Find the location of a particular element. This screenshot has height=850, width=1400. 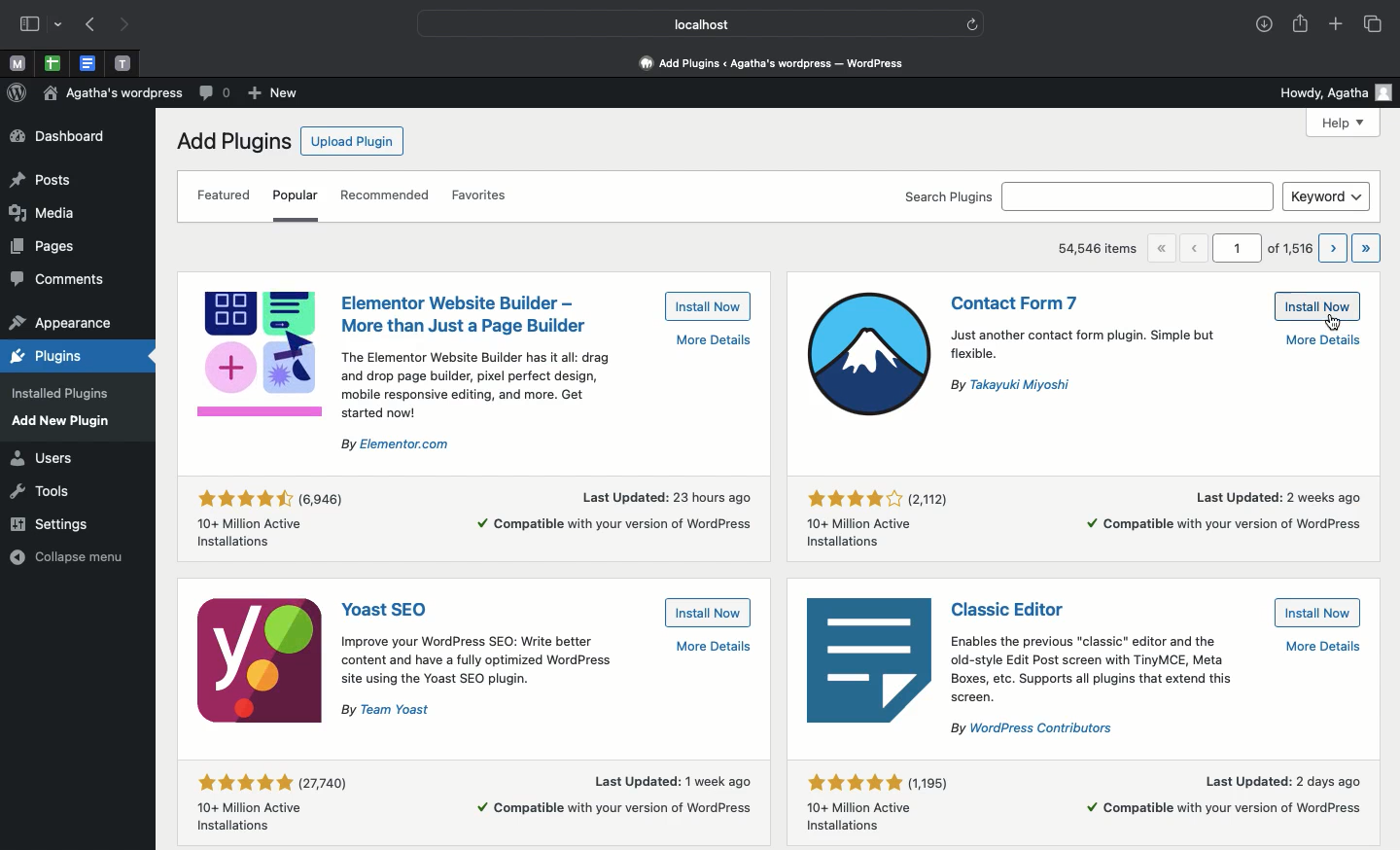

More details is located at coordinates (1324, 646).